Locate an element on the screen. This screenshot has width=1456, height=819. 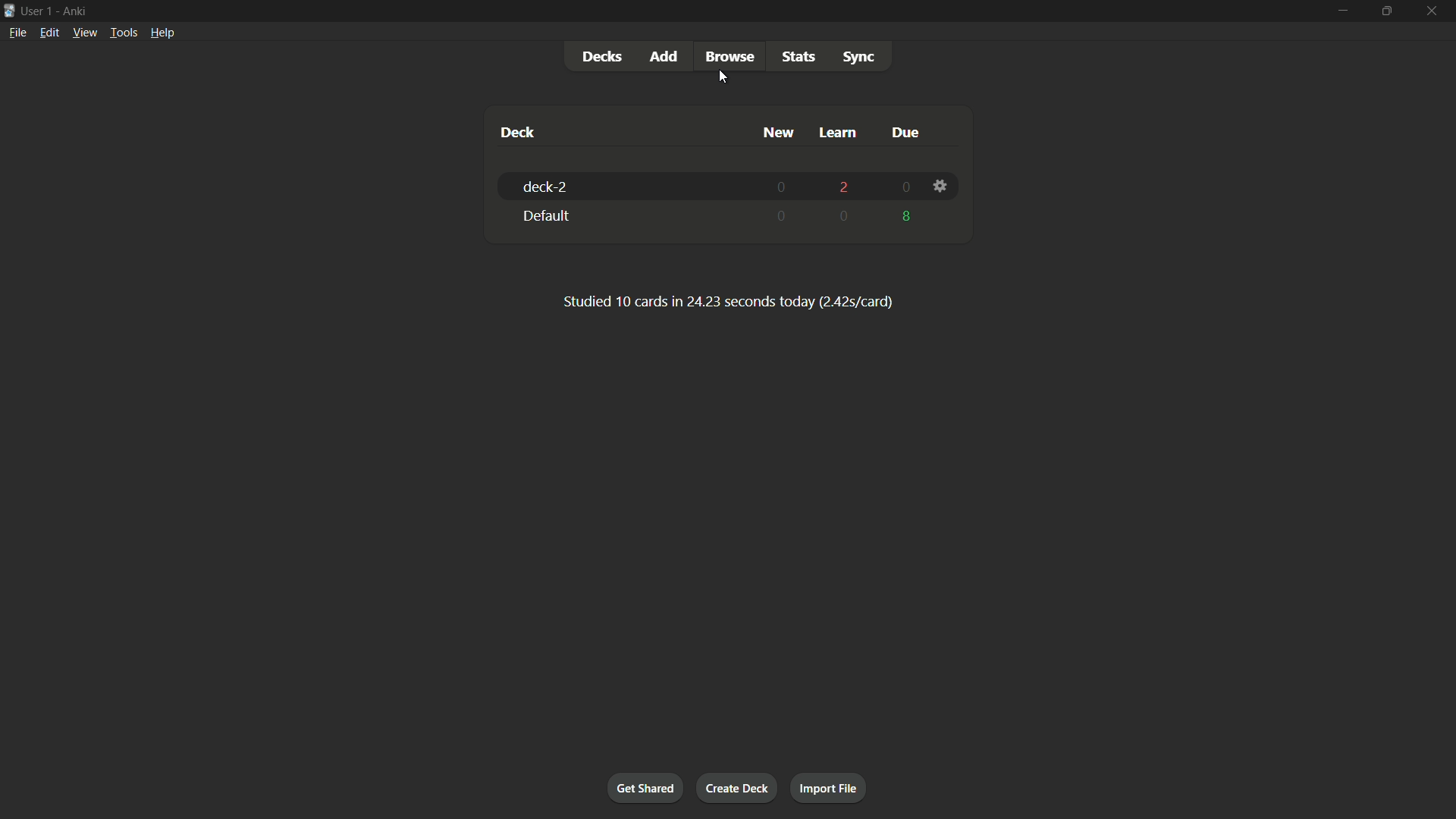
minimize is located at coordinates (1340, 11).